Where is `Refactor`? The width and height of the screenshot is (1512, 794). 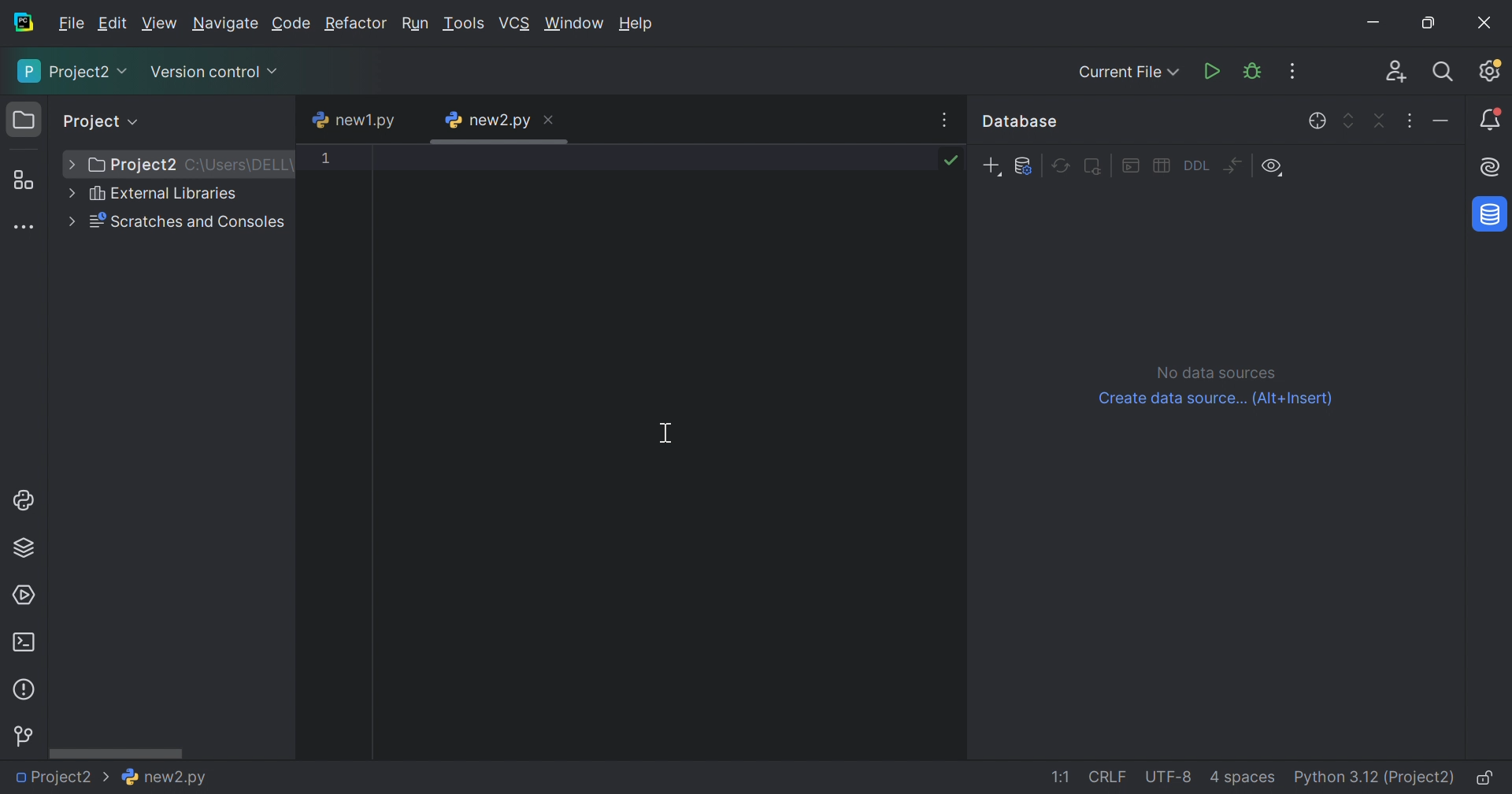
Refactor is located at coordinates (358, 24).